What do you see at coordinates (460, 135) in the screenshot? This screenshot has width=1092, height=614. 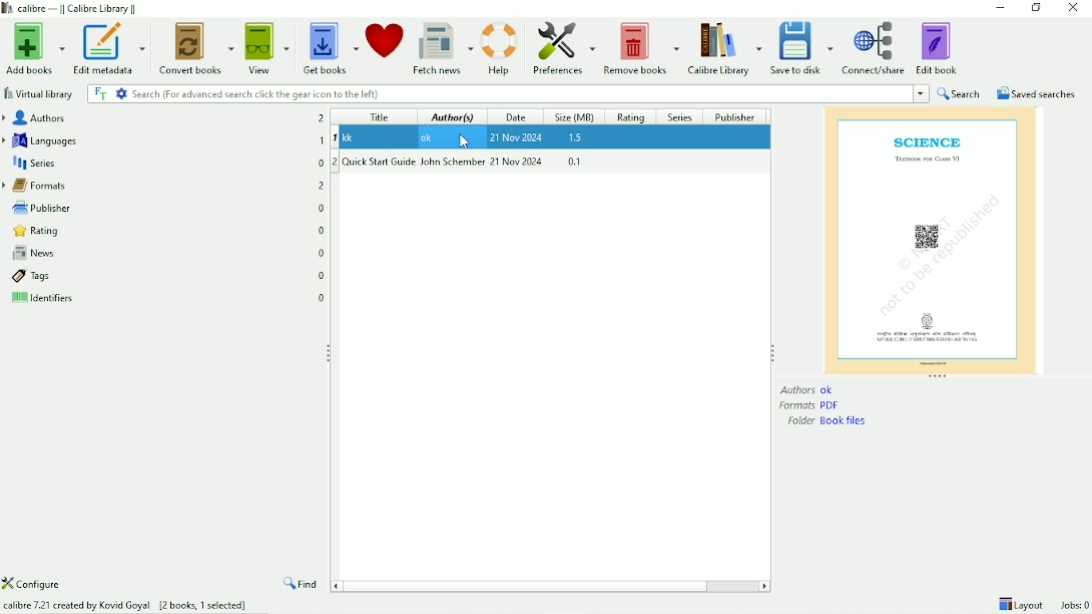 I see `Cursor` at bounding box center [460, 135].